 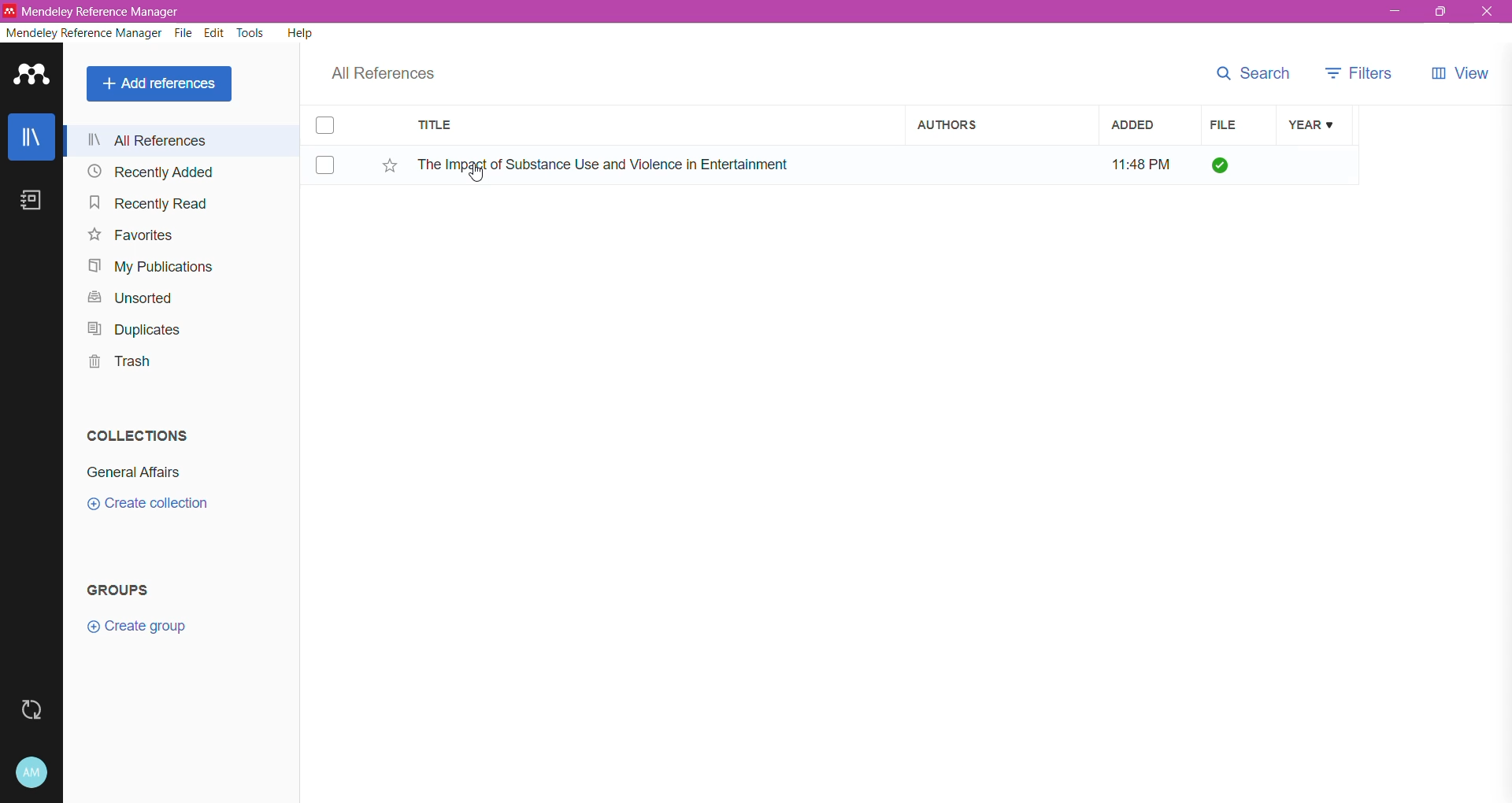 What do you see at coordinates (323, 166) in the screenshot?
I see `Click to select Item(s)` at bounding box center [323, 166].